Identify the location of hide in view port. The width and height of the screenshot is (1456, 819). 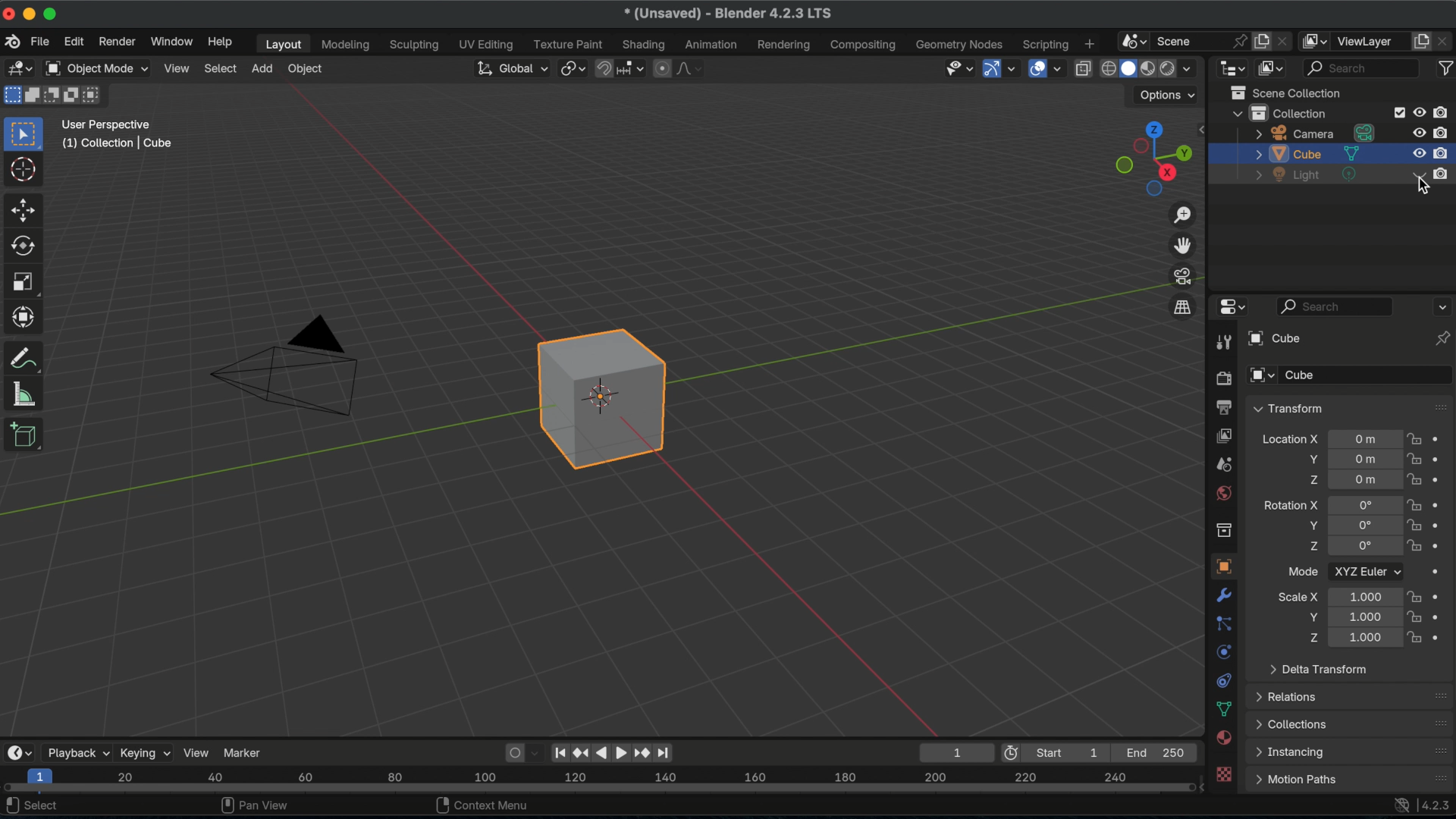
(1416, 154).